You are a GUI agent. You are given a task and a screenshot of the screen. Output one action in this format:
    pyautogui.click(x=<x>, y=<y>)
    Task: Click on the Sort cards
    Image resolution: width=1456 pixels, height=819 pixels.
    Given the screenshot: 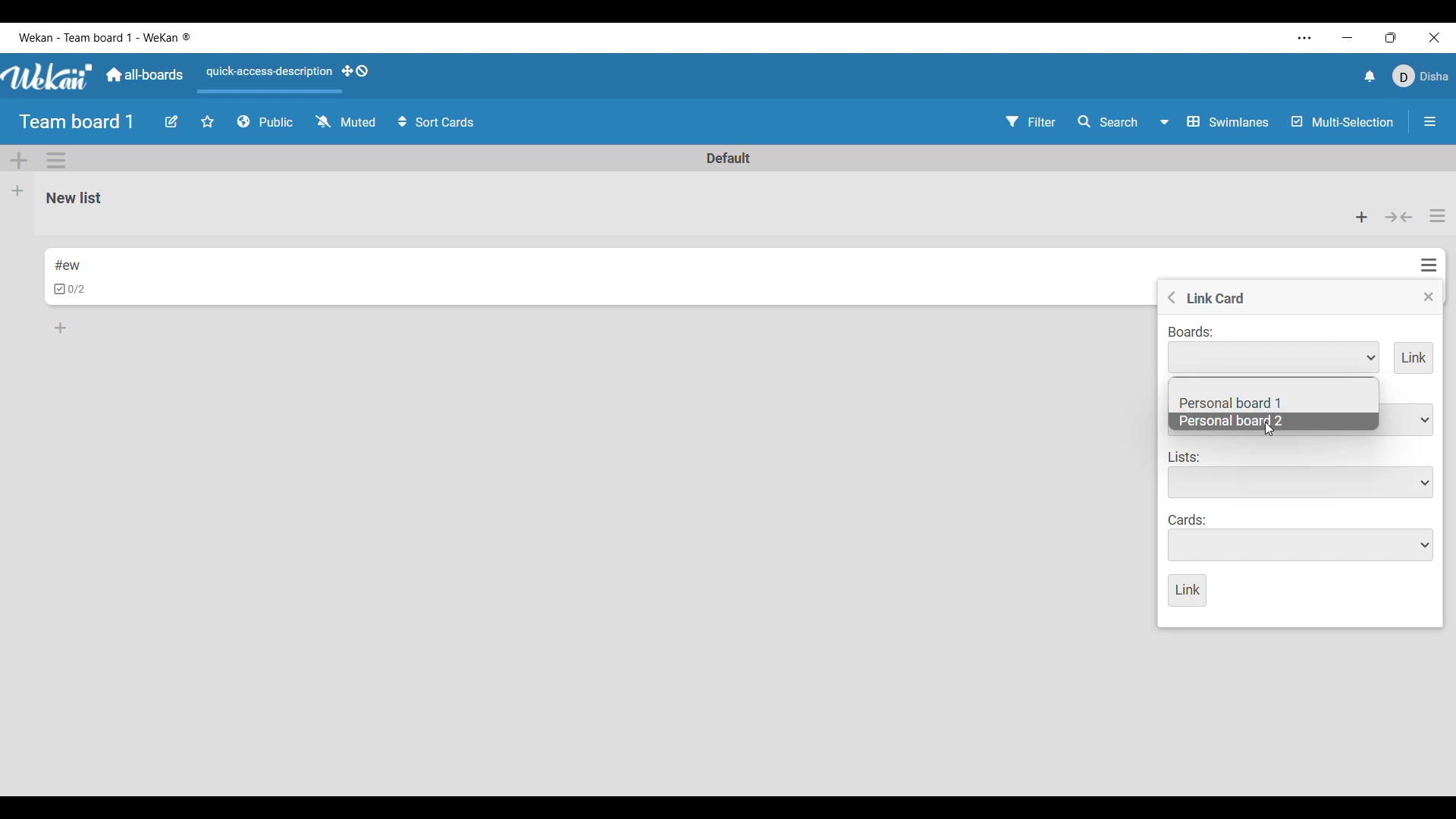 What is the action you would take?
    pyautogui.click(x=438, y=122)
    